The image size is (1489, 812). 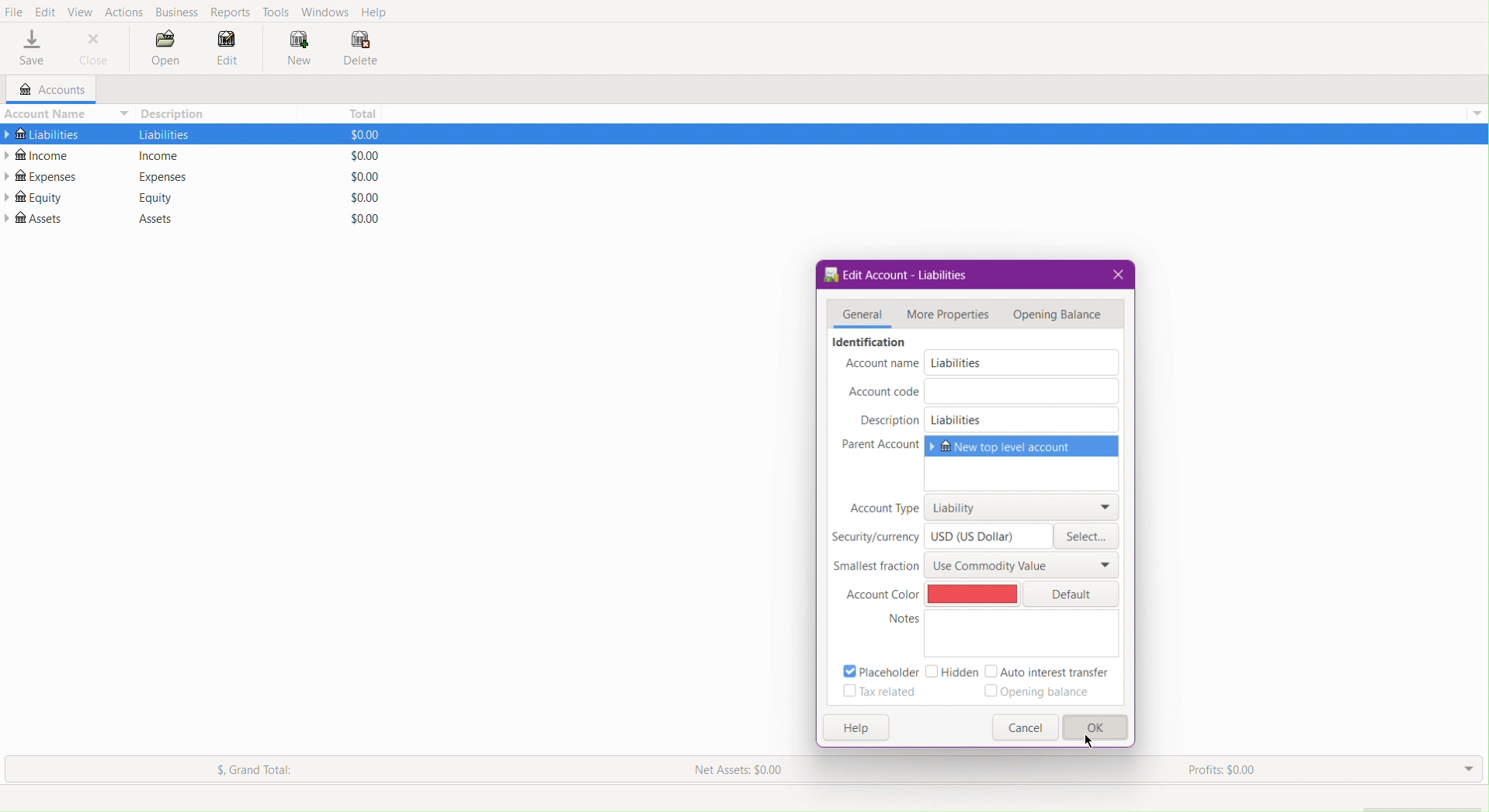 What do you see at coordinates (883, 508) in the screenshot?
I see `Account Type` at bounding box center [883, 508].